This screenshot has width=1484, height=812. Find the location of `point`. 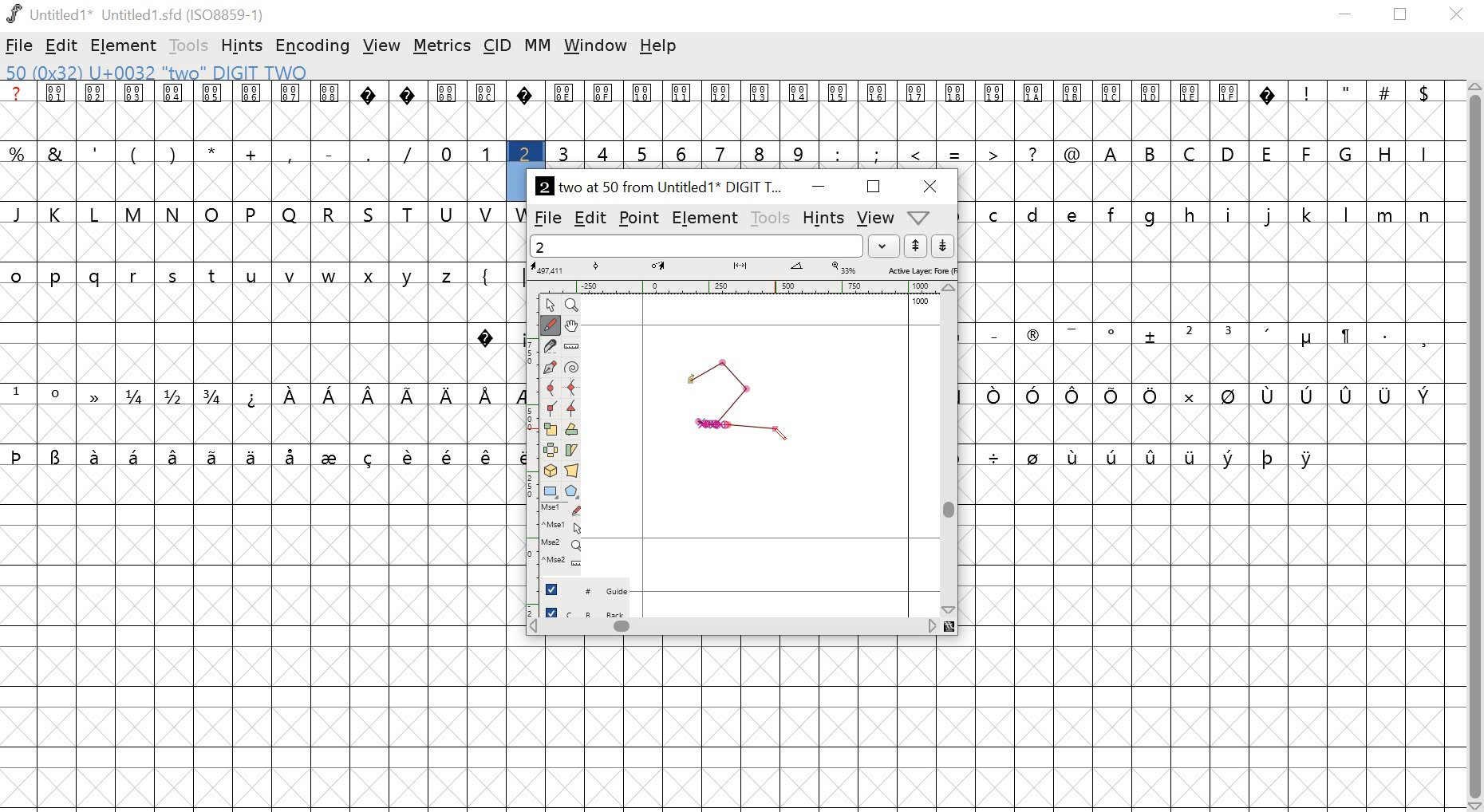

point is located at coordinates (638, 218).